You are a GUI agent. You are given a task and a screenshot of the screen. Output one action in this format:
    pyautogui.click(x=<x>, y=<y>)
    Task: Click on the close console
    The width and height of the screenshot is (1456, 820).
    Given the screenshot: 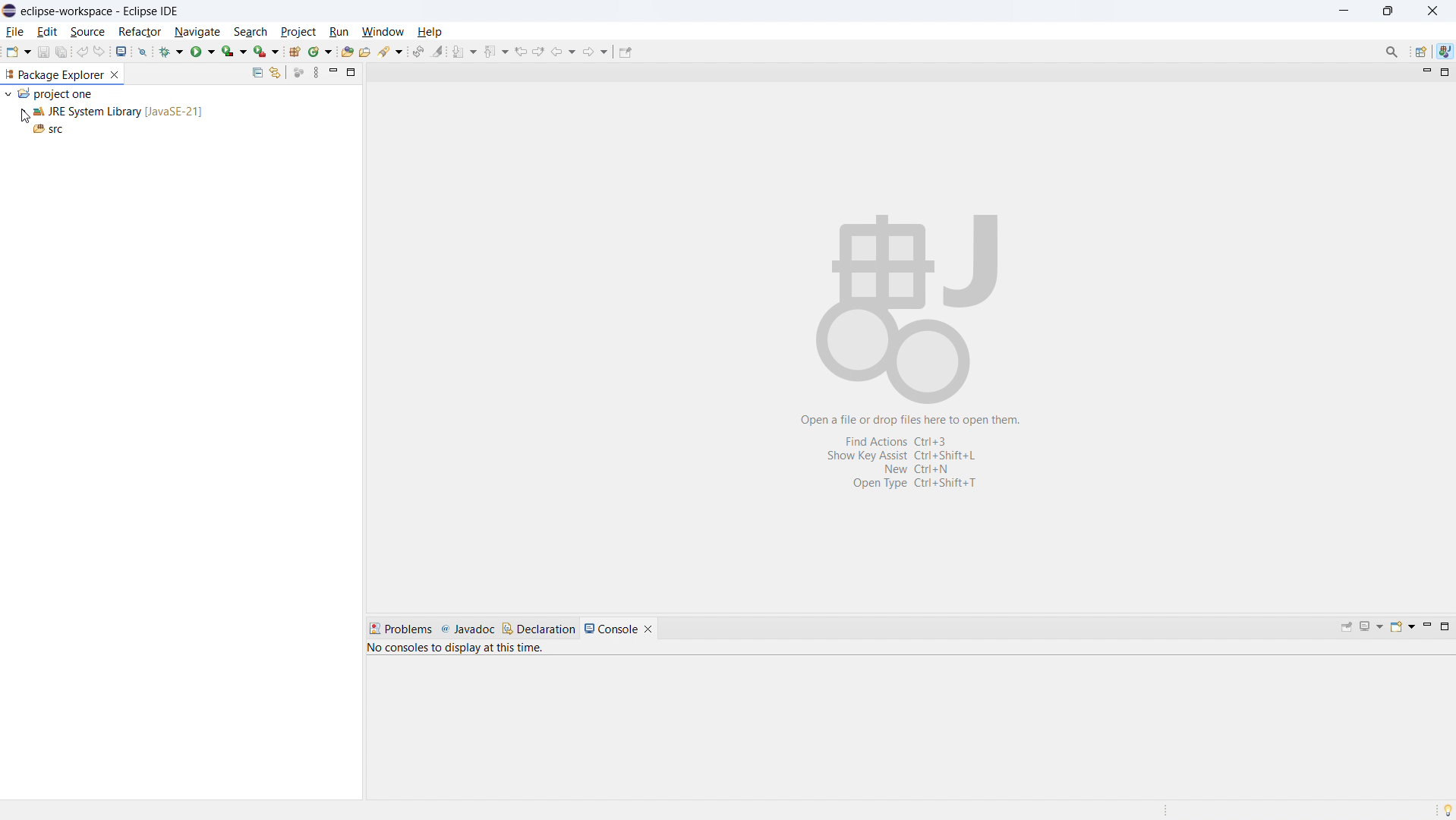 What is the action you would take?
    pyautogui.click(x=655, y=623)
    